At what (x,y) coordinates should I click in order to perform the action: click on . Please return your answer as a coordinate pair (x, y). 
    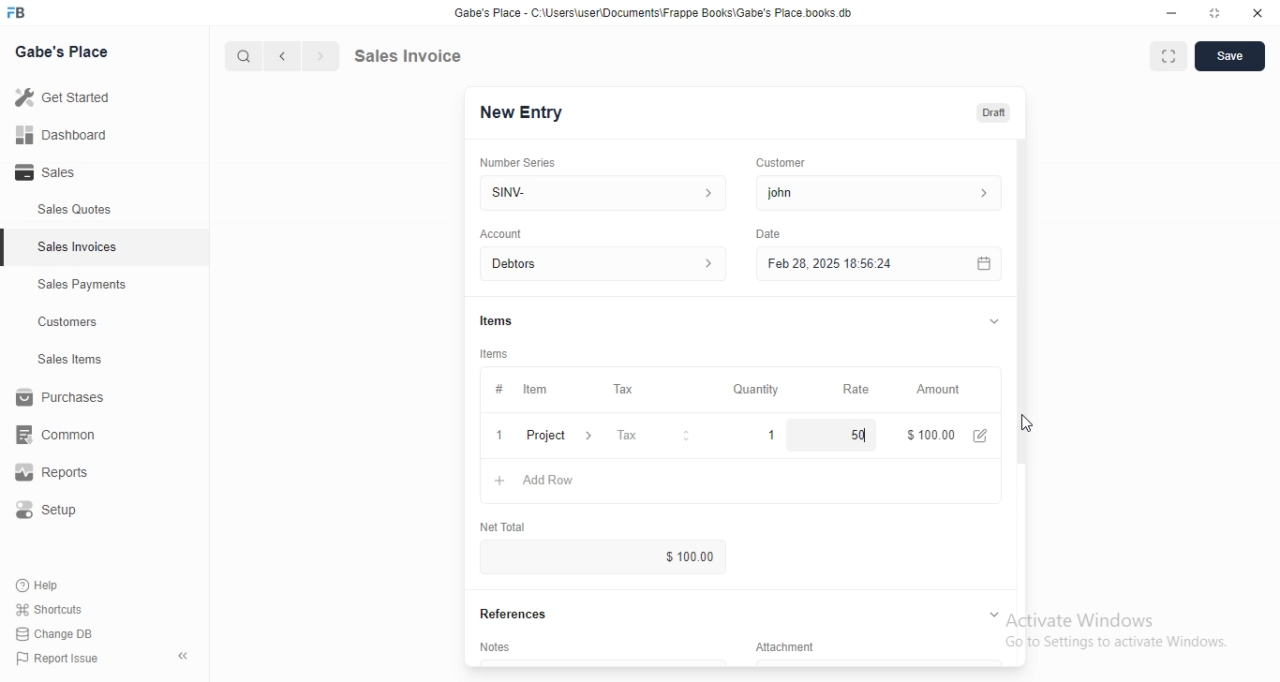
    Looking at the image, I should click on (498, 389).